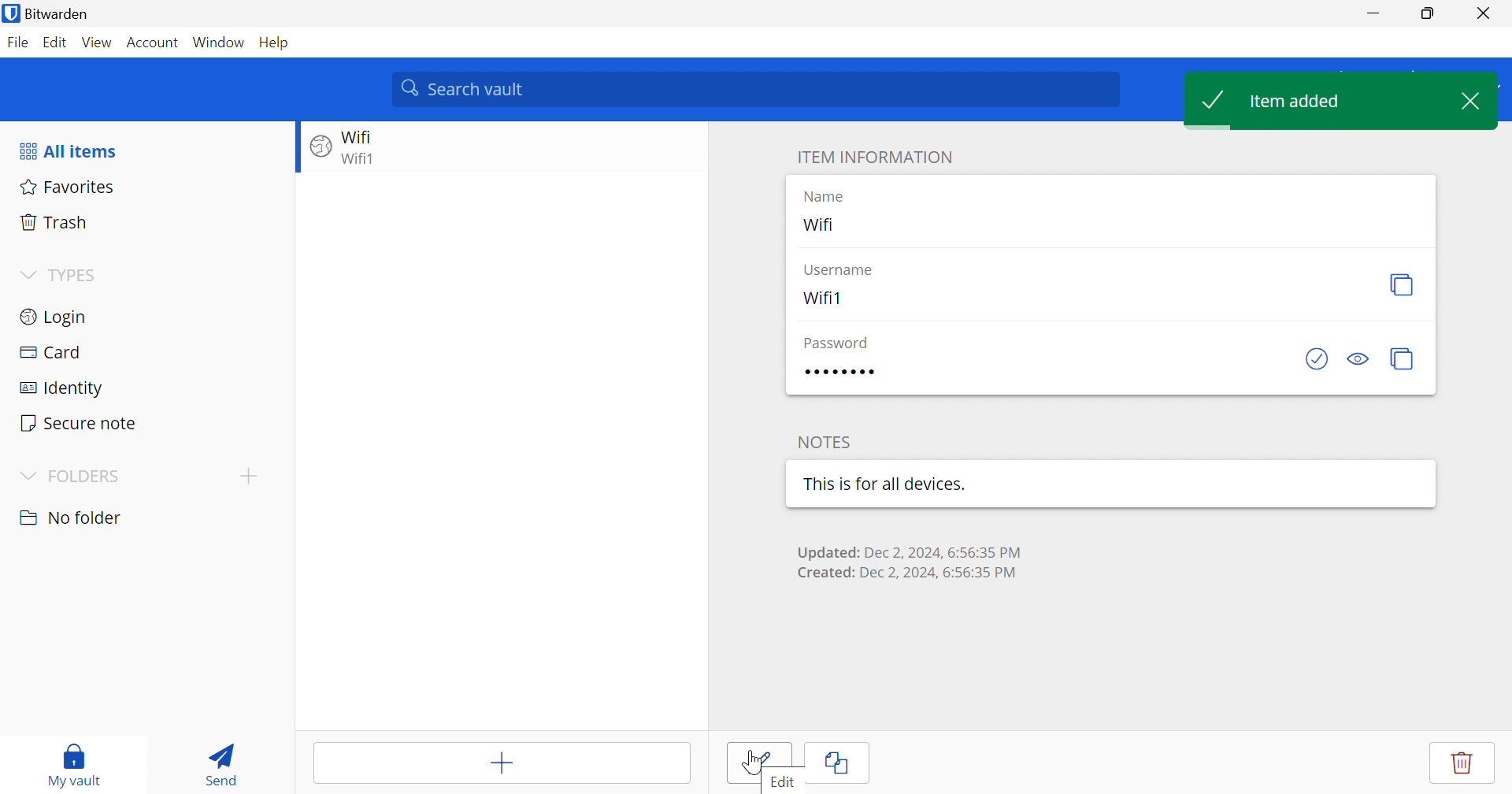  I want to click on FOLDERS, so click(87, 477).